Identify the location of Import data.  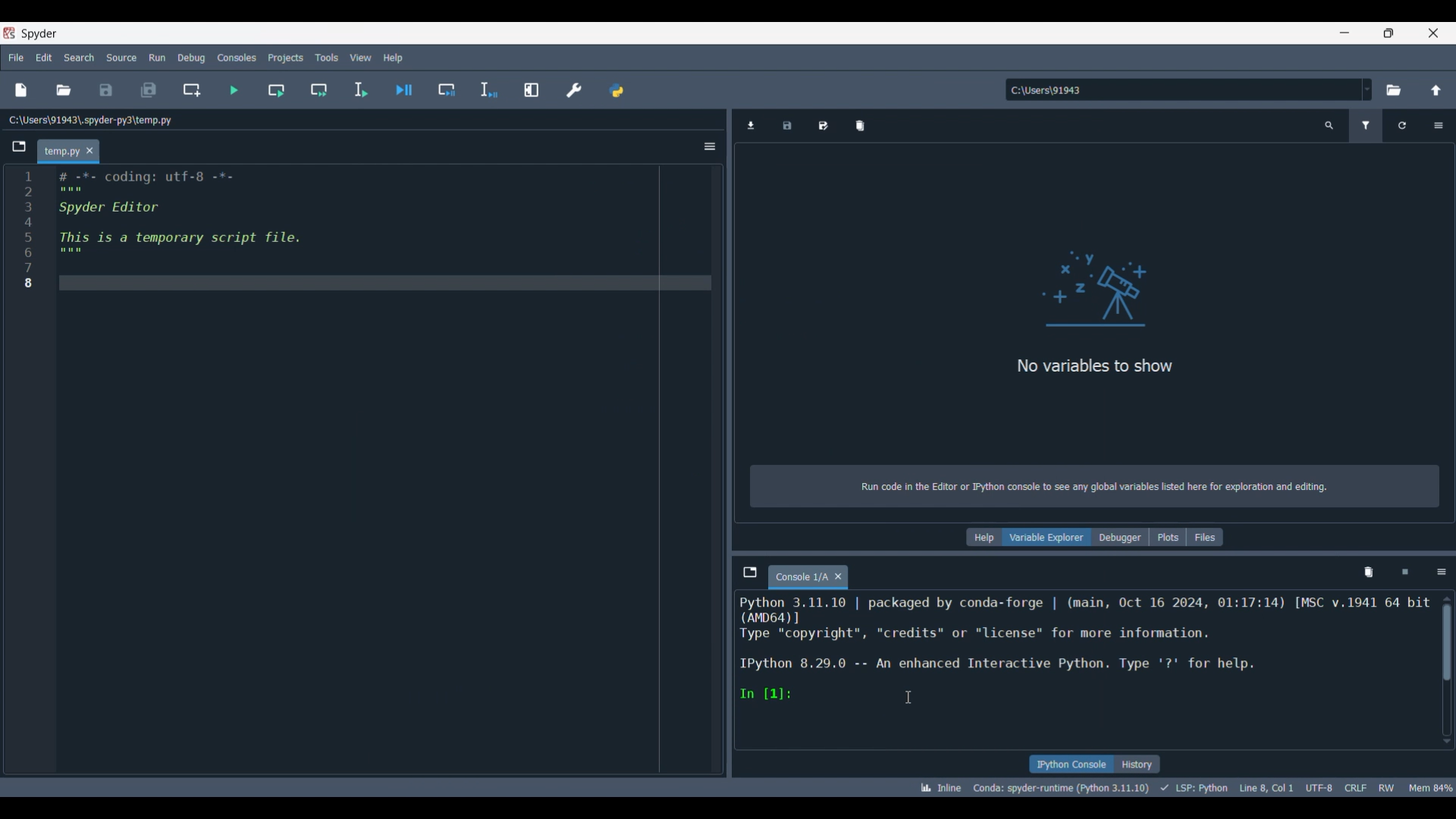
(750, 126).